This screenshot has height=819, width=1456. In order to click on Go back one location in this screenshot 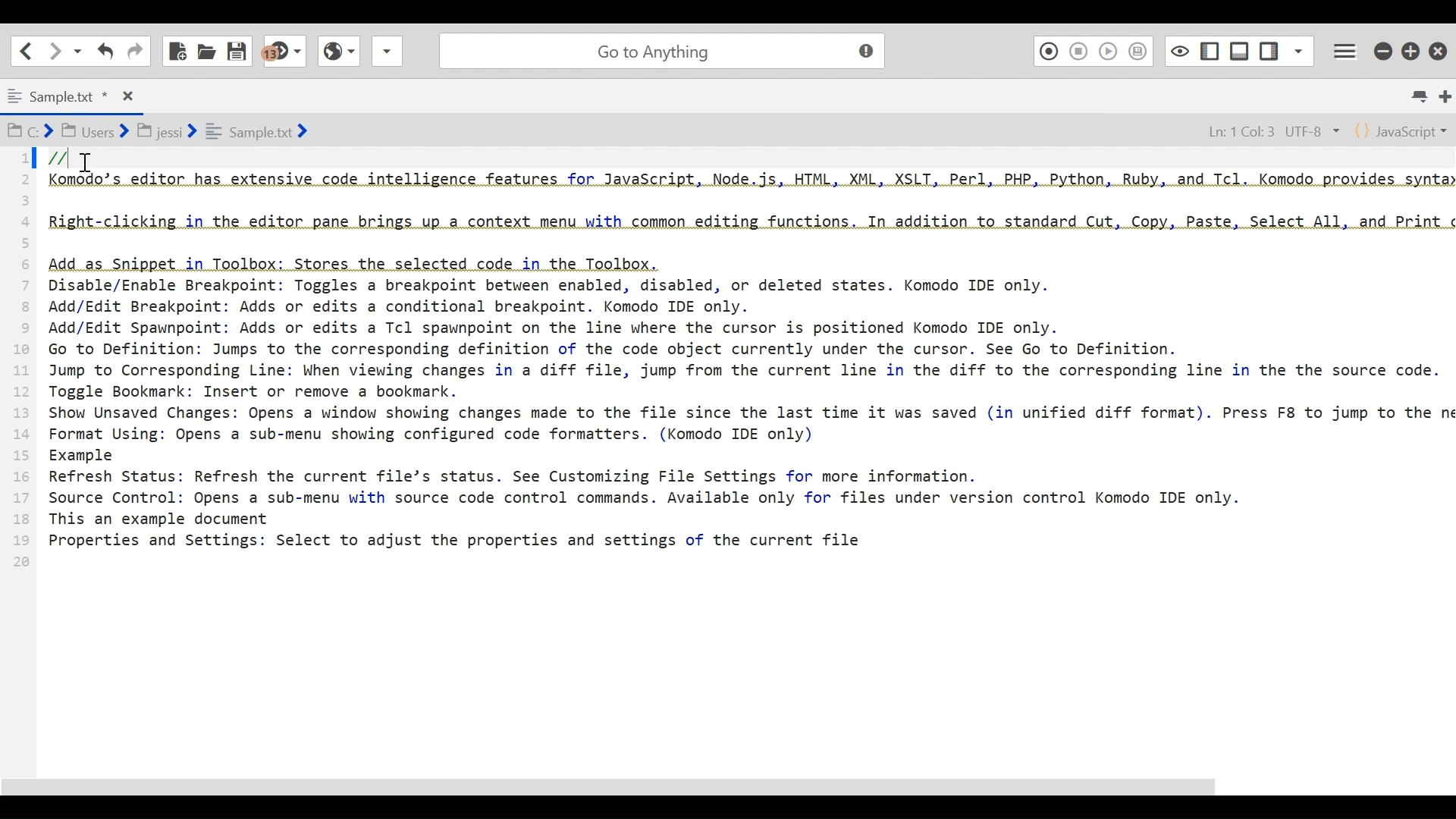, I will do `click(26, 50)`.